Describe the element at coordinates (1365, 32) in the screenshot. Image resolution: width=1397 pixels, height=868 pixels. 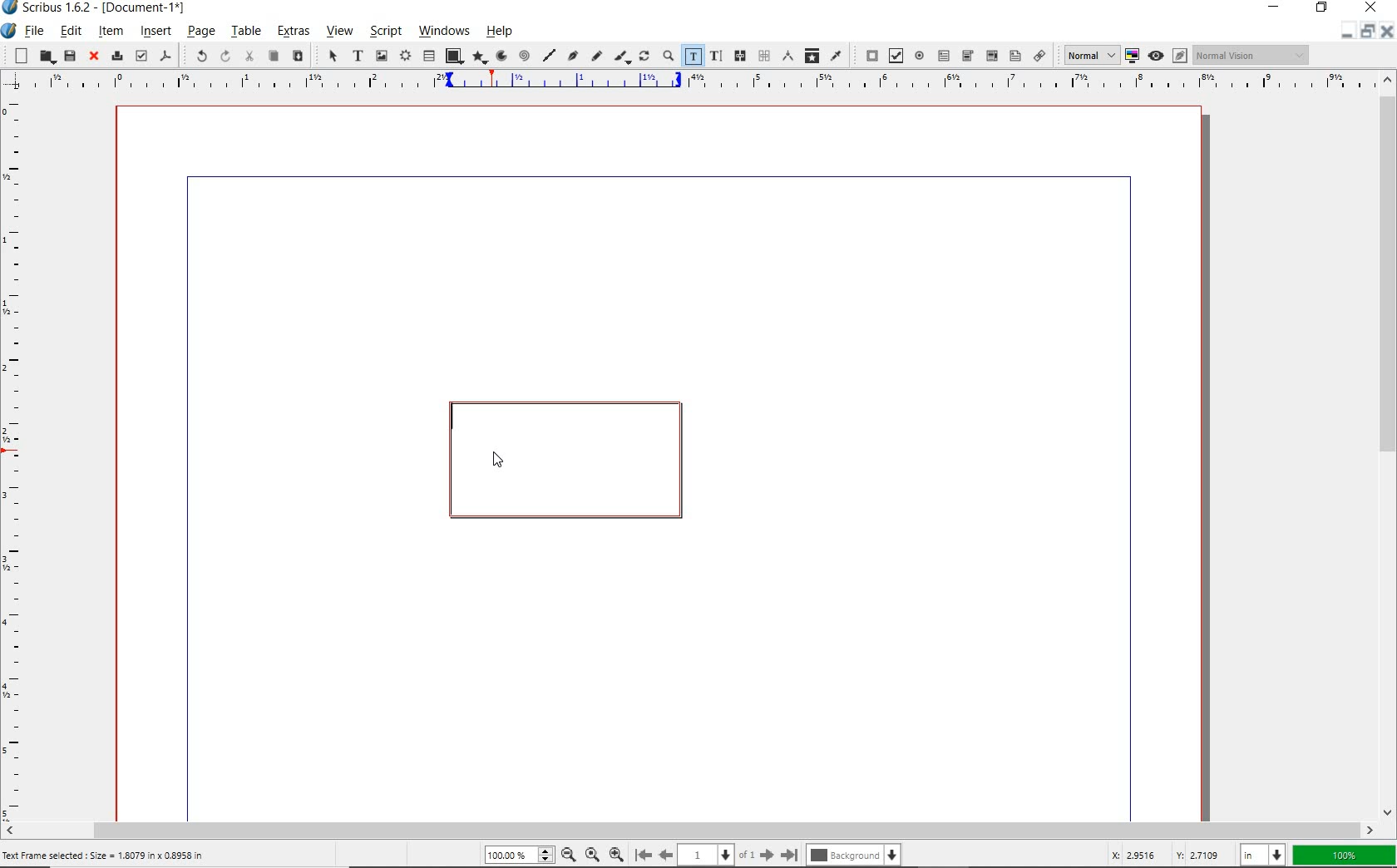
I see `minimize` at that location.